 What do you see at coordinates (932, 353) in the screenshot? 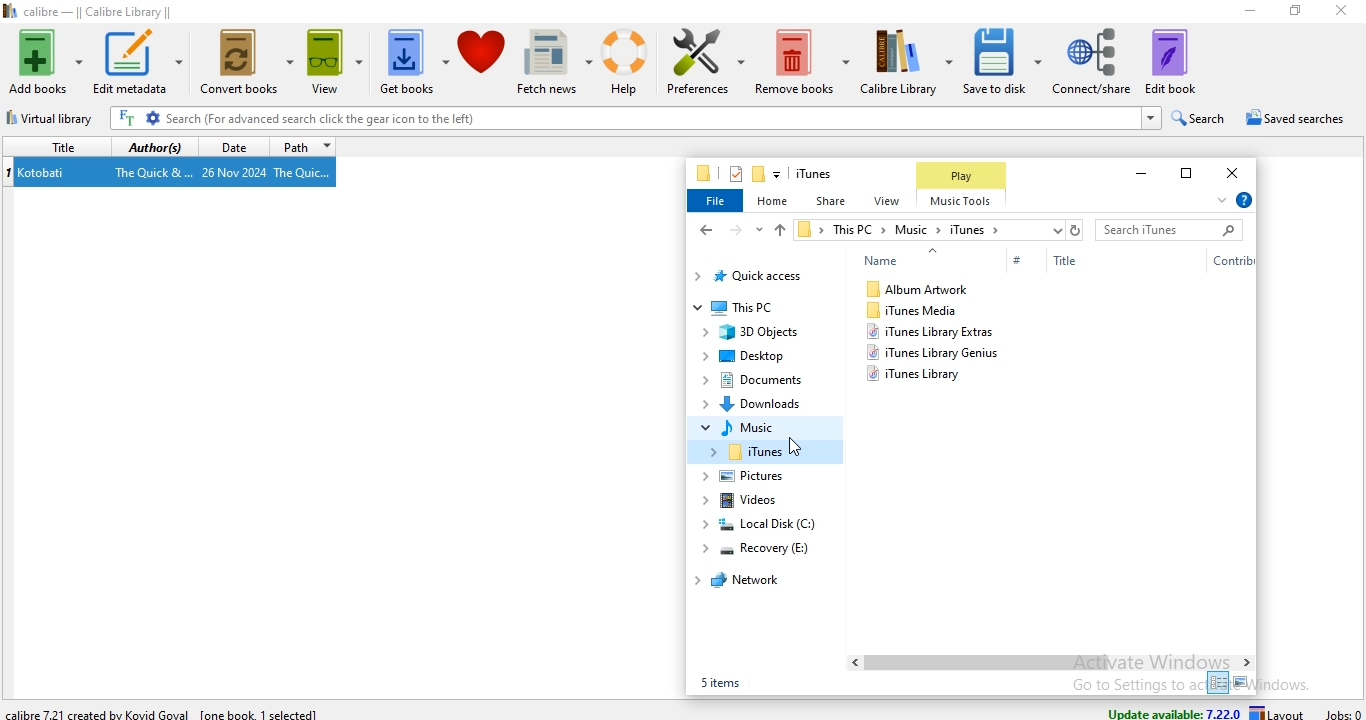
I see `itunes library genius` at bounding box center [932, 353].